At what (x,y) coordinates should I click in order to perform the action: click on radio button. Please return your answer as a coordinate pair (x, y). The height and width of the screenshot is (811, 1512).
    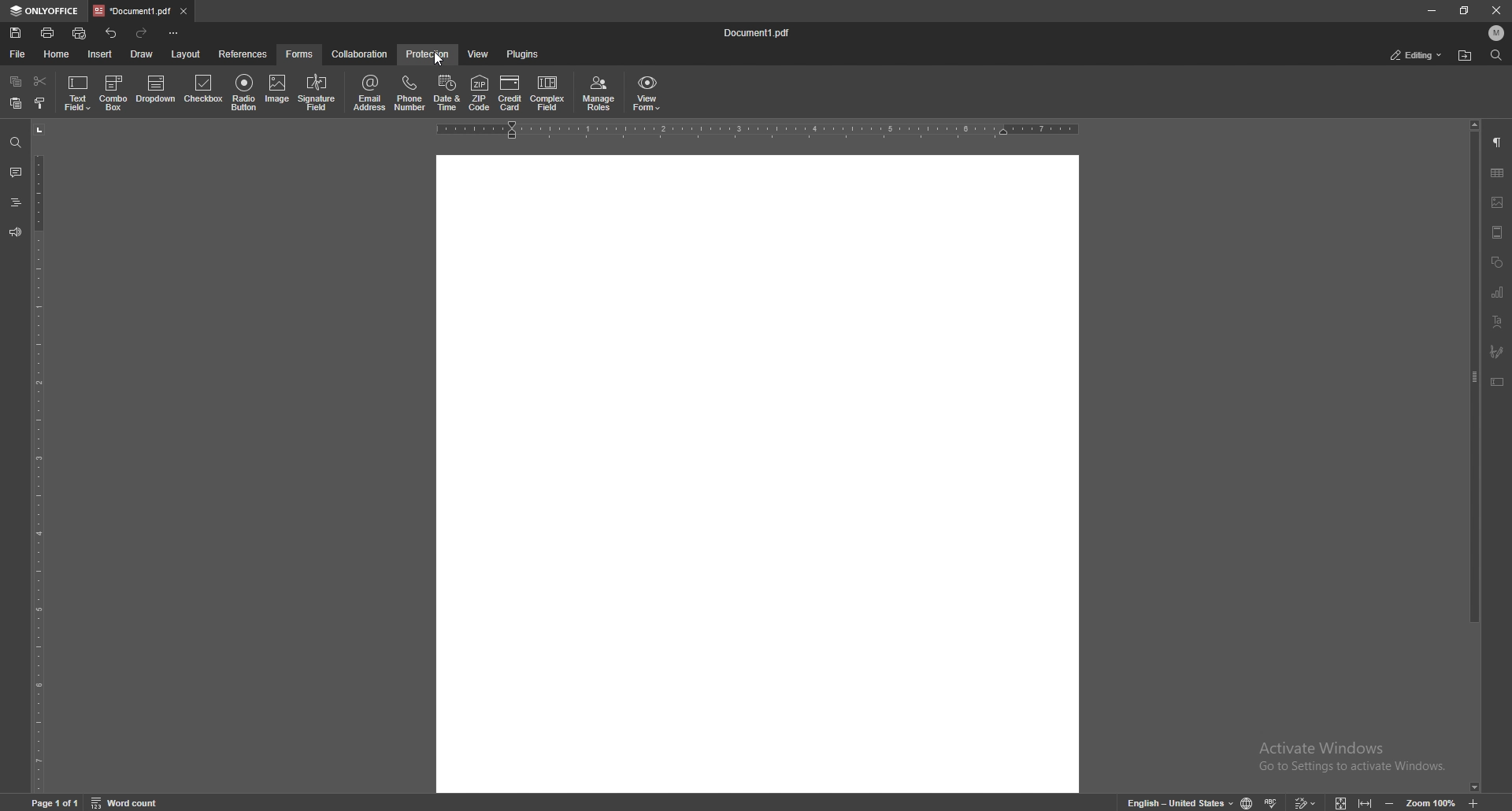
    Looking at the image, I should click on (243, 92).